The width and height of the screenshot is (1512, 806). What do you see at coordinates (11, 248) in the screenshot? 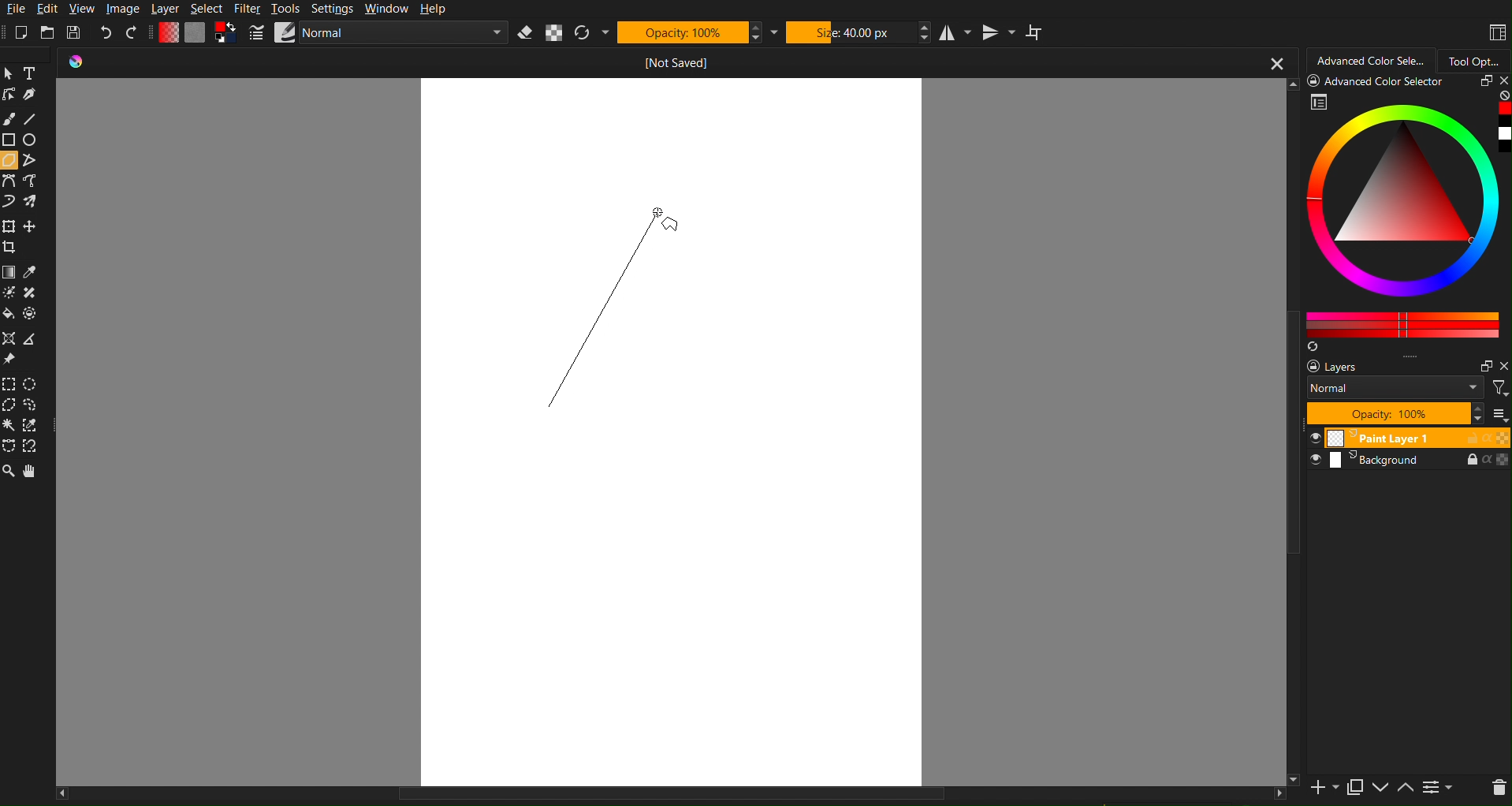
I see `crop the image to an area` at bounding box center [11, 248].